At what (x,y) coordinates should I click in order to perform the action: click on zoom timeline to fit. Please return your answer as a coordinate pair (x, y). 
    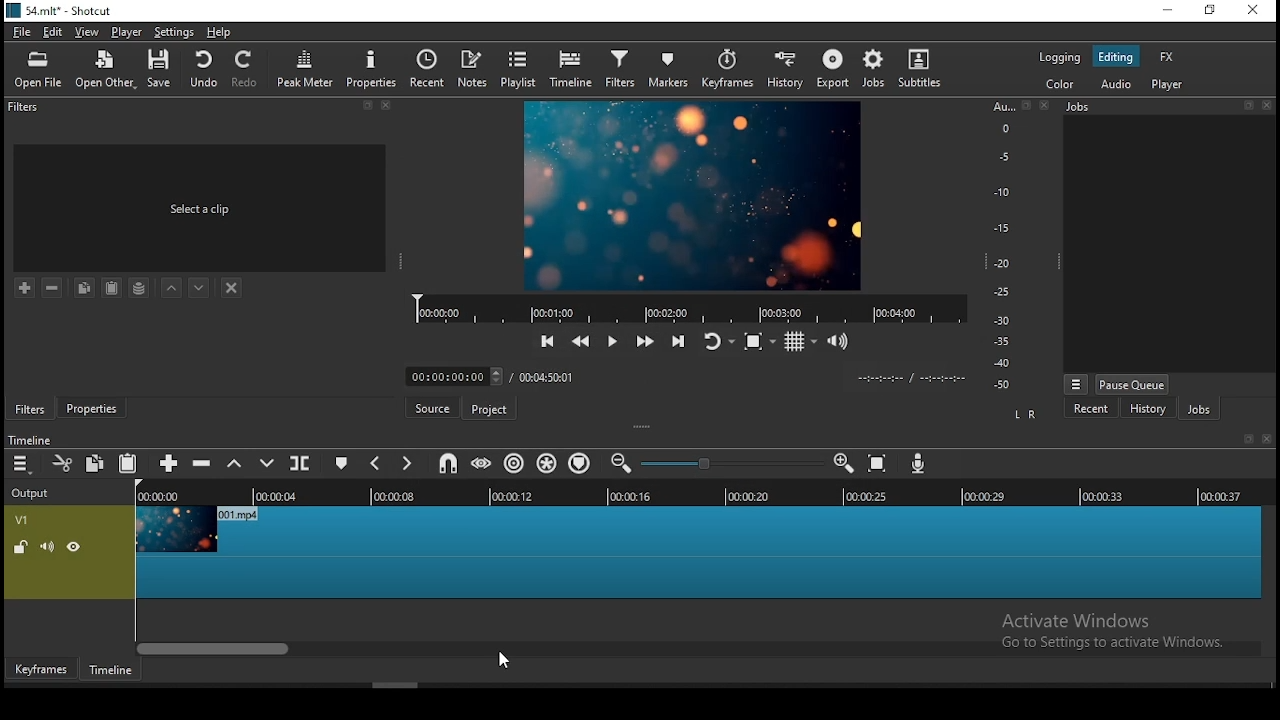
    Looking at the image, I should click on (879, 465).